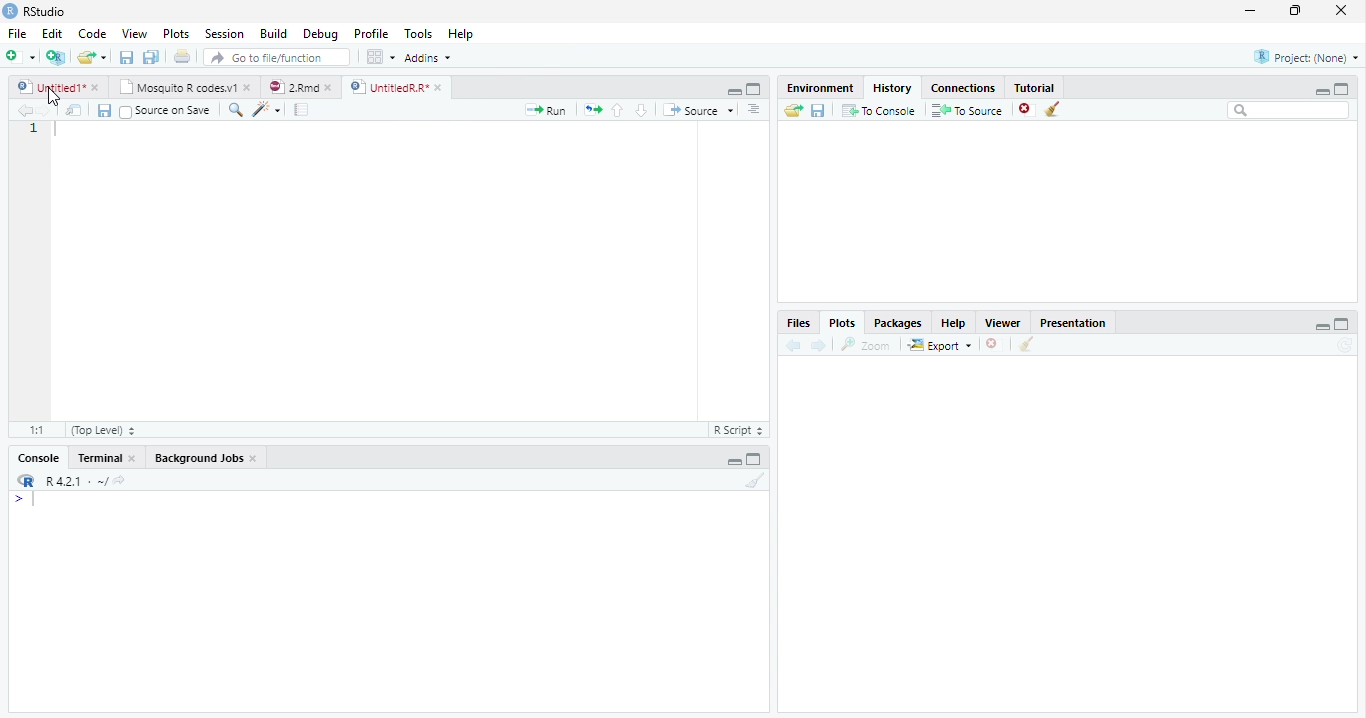  I want to click on RStudio, so click(39, 12).